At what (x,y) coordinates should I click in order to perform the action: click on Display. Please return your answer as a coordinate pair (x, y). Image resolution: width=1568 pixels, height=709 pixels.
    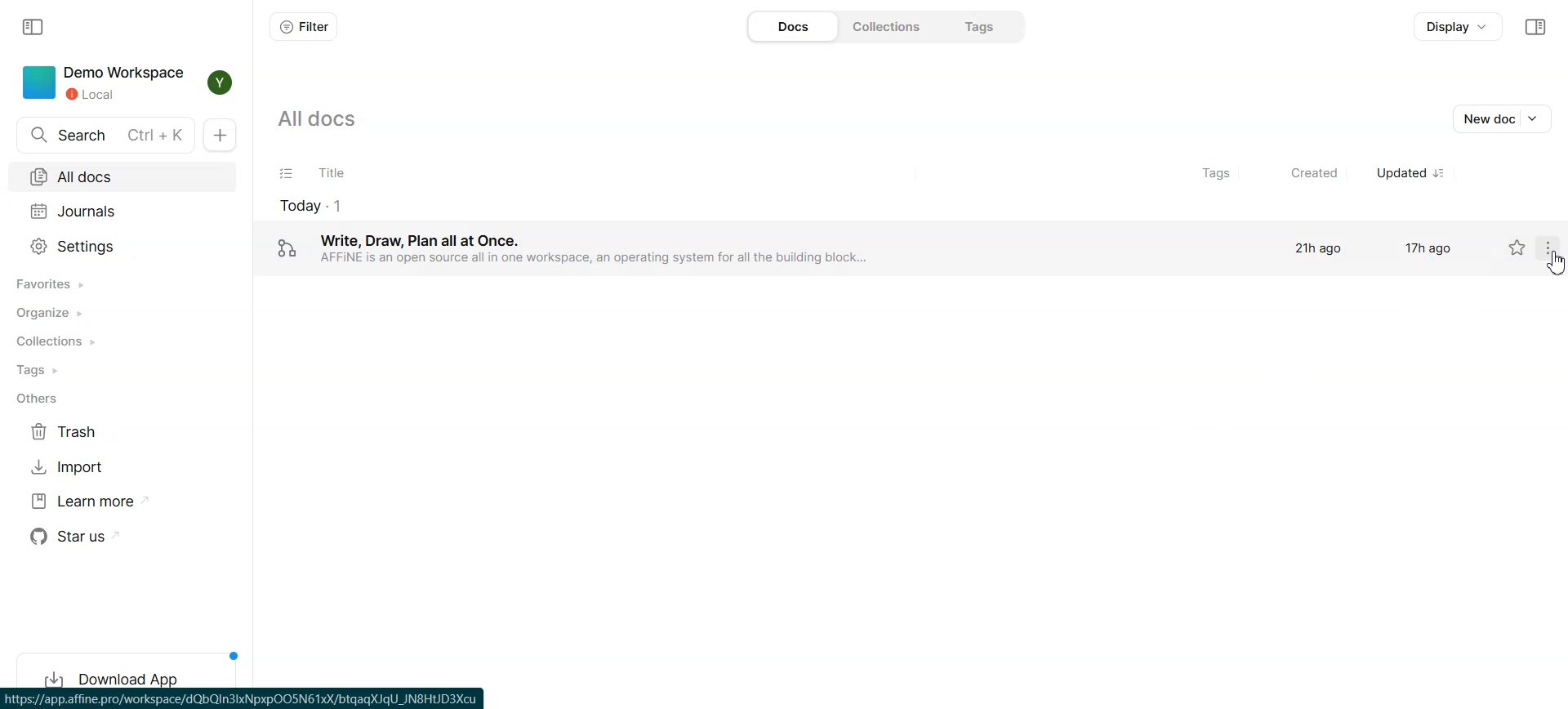
    Looking at the image, I should click on (1459, 27).